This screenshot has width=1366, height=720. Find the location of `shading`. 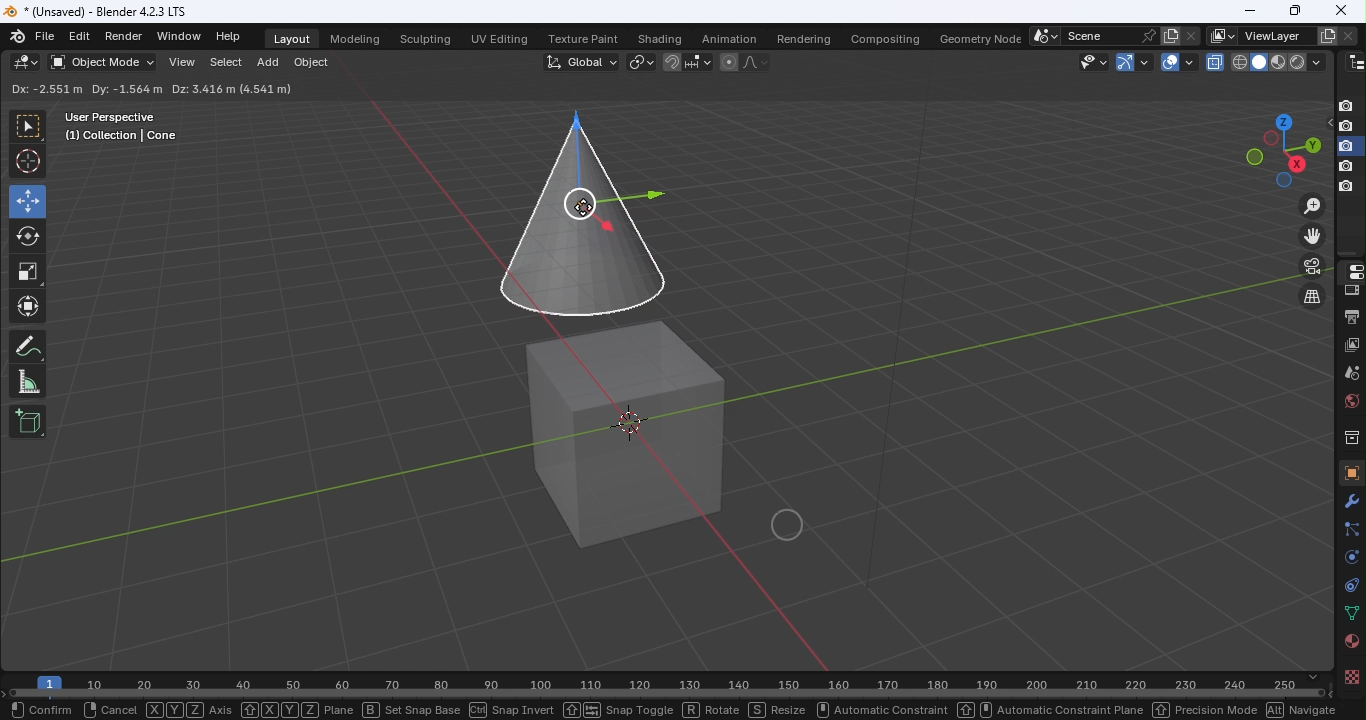

shading is located at coordinates (1315, 61).